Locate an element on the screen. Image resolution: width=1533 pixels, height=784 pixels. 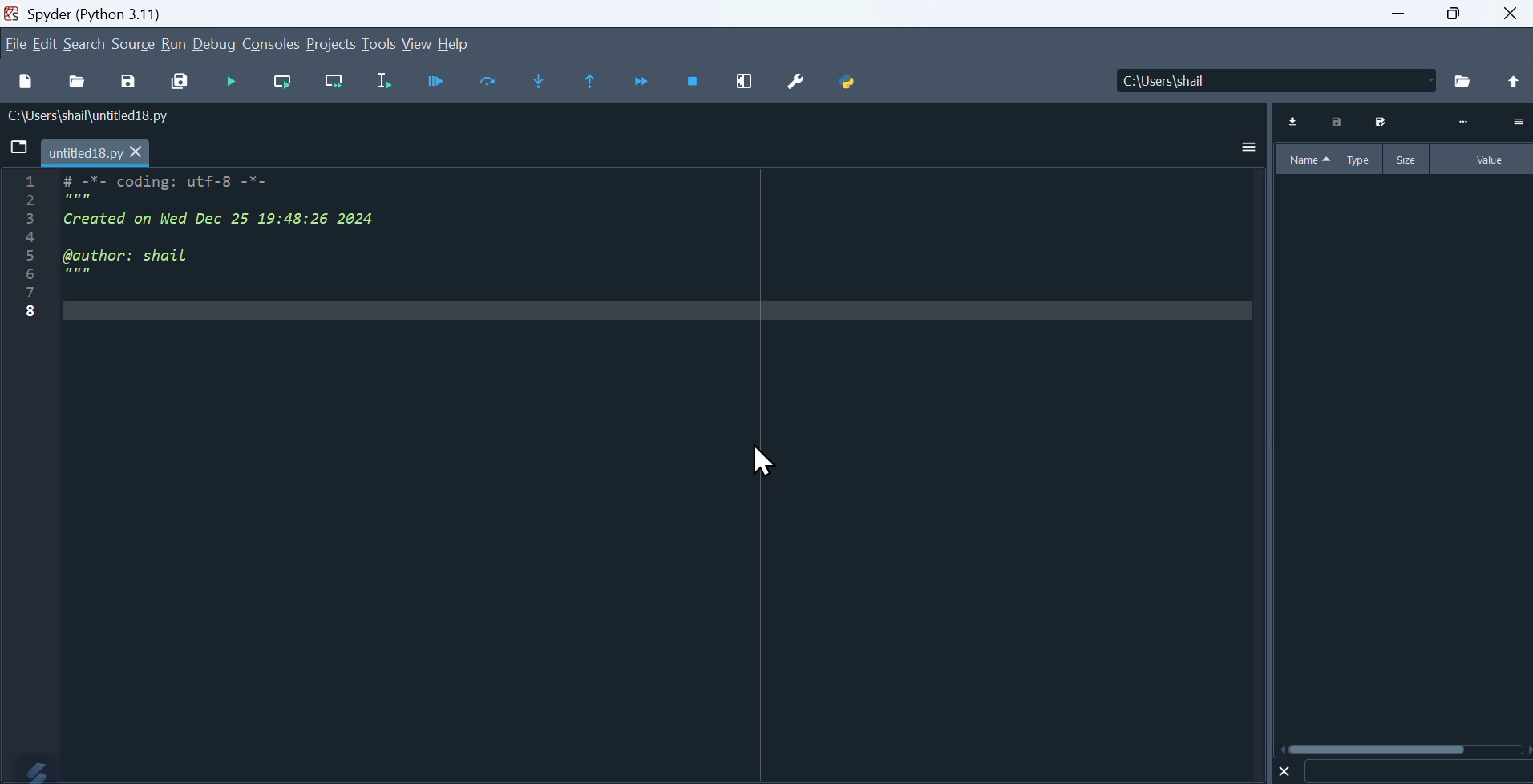
Find previous is located at coordinates (593, 82).